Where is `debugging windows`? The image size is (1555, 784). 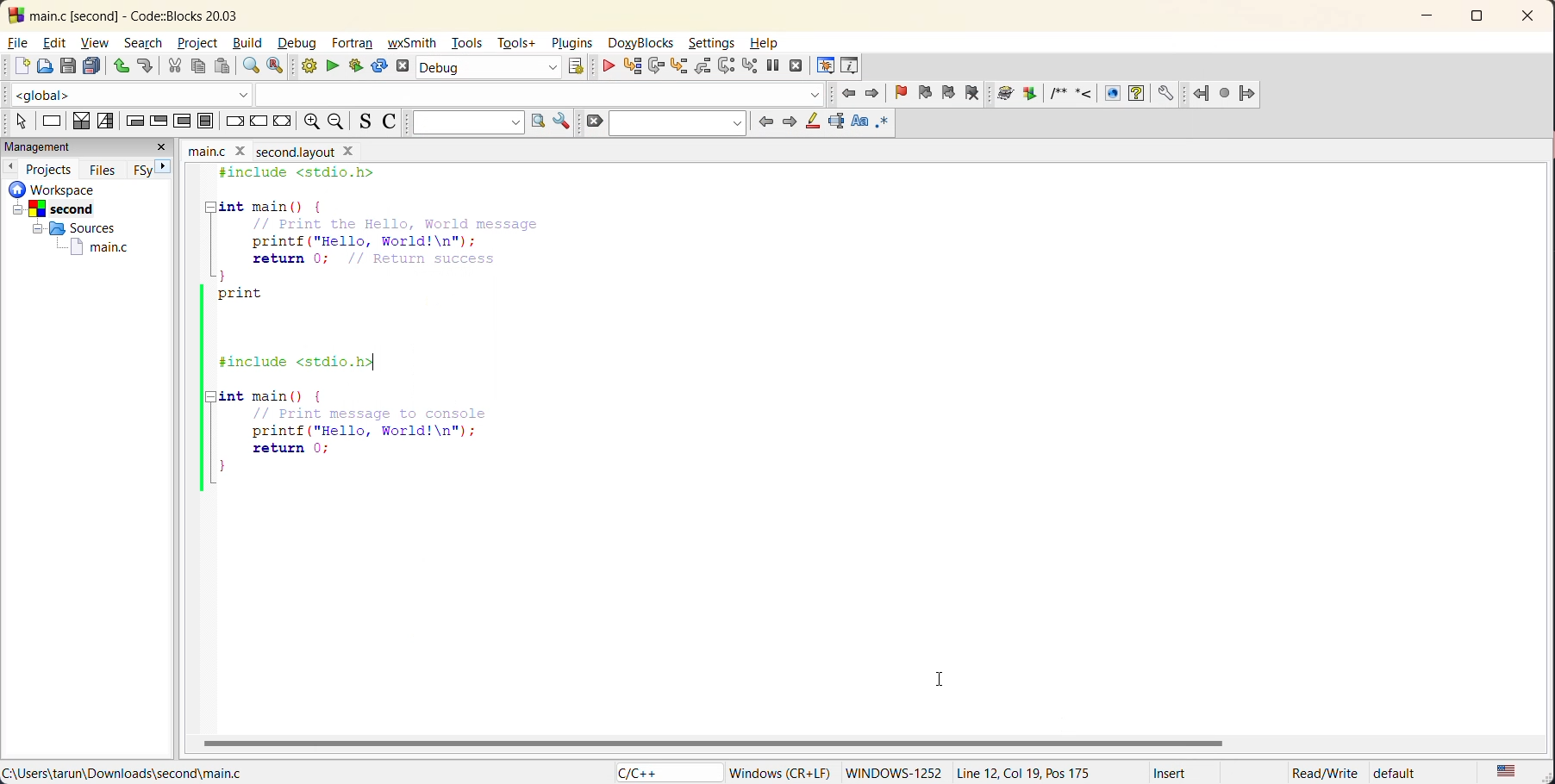
debugging windows is located at coordinates (827, 65).